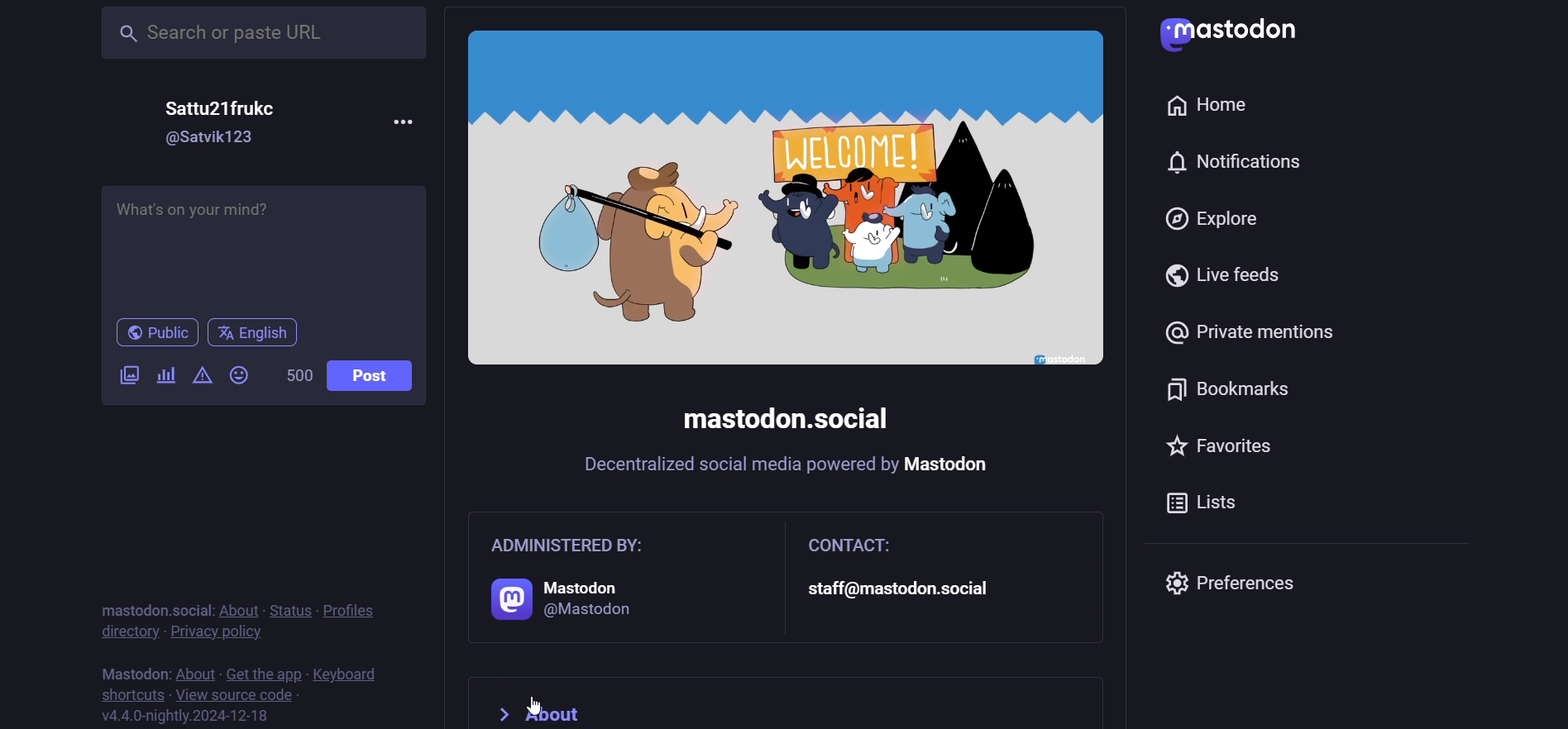 This screenshot has height=729, width=1568. Describe the element at coordinates (287, 608) in the screenshot. I see `status` at that location.